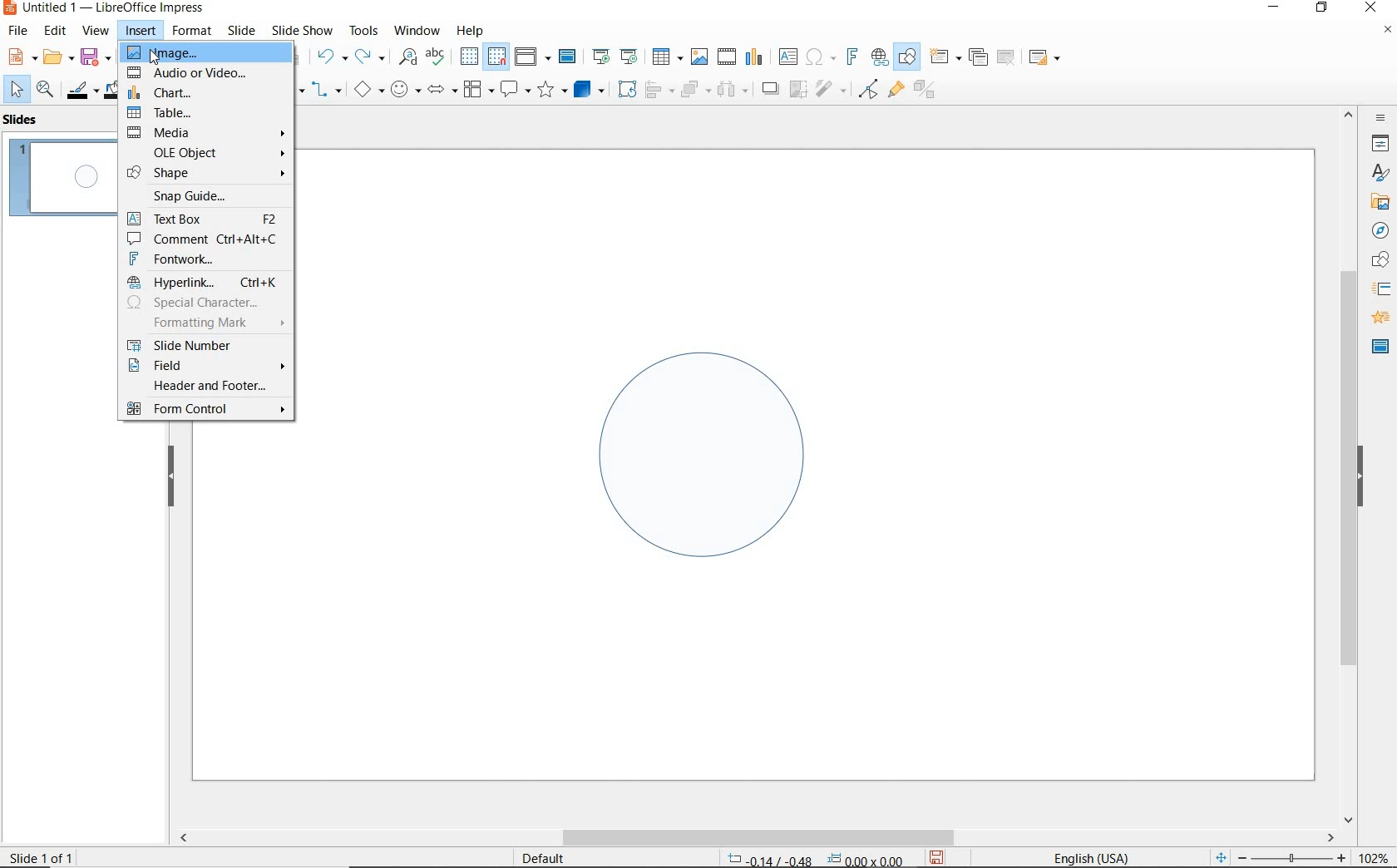 The height and width of the screenshot is (868, 1397). What do you see at coordinates (1378, 318) in the screenshot?
I see `animation` at bounding box center [1378, 318].